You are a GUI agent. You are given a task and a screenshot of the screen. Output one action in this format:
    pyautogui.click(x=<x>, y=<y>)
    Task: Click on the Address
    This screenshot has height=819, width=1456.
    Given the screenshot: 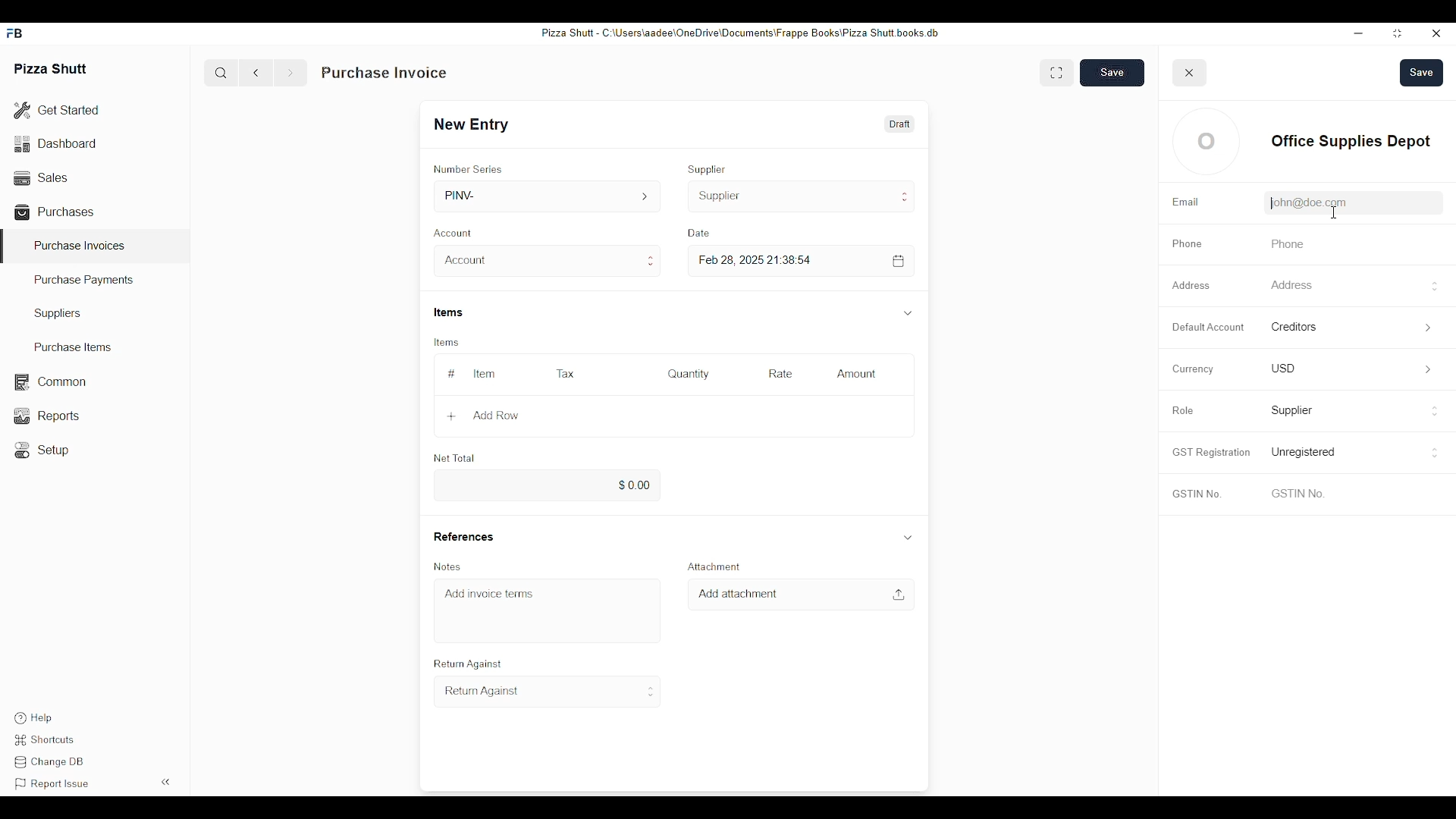 What is the action you would take?
    pyautogui.click(x=1290, y=284)
    